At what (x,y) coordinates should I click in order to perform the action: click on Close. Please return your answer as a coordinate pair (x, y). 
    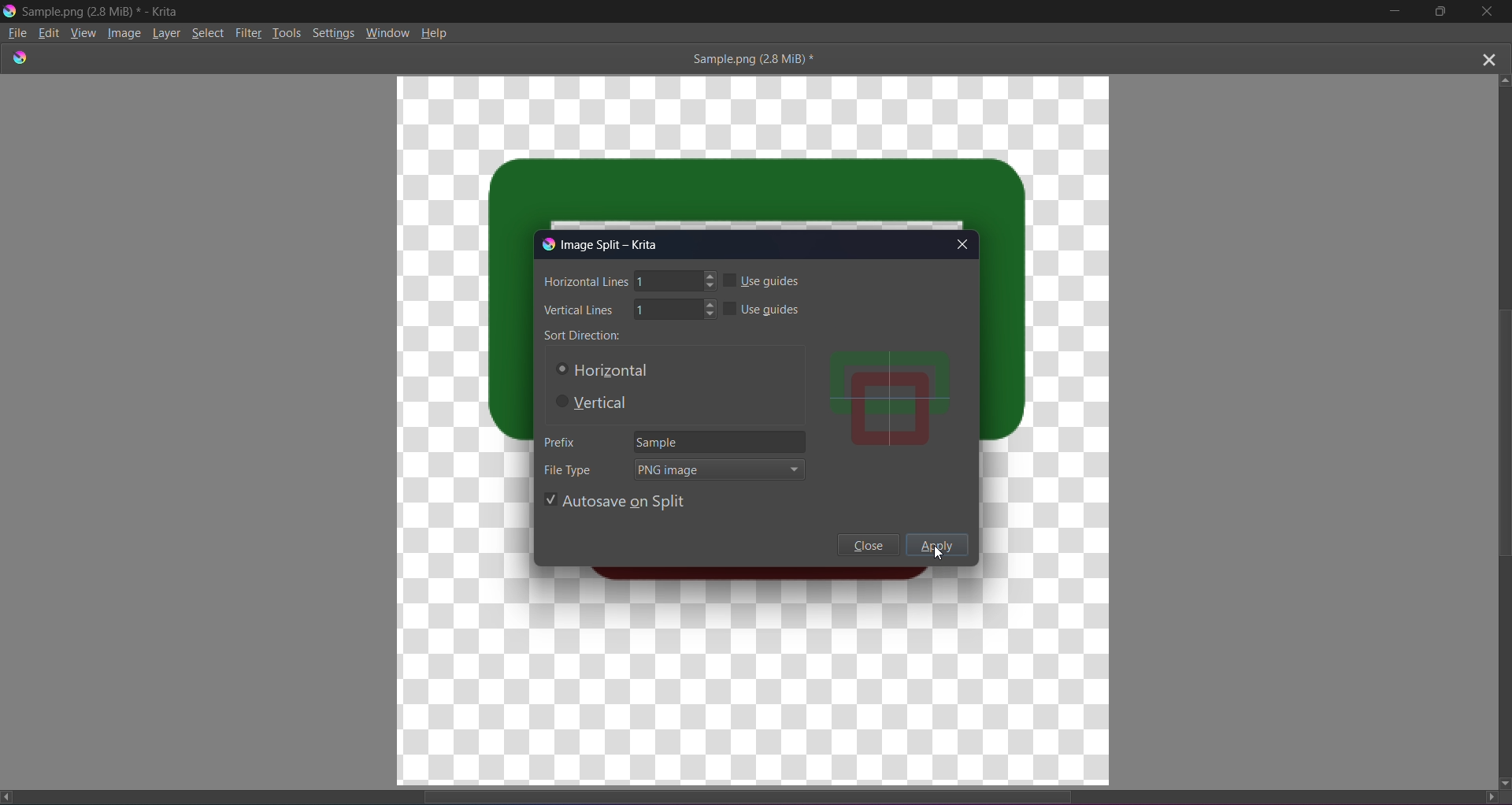
    Looking at the image, I should click on (1488, 13).